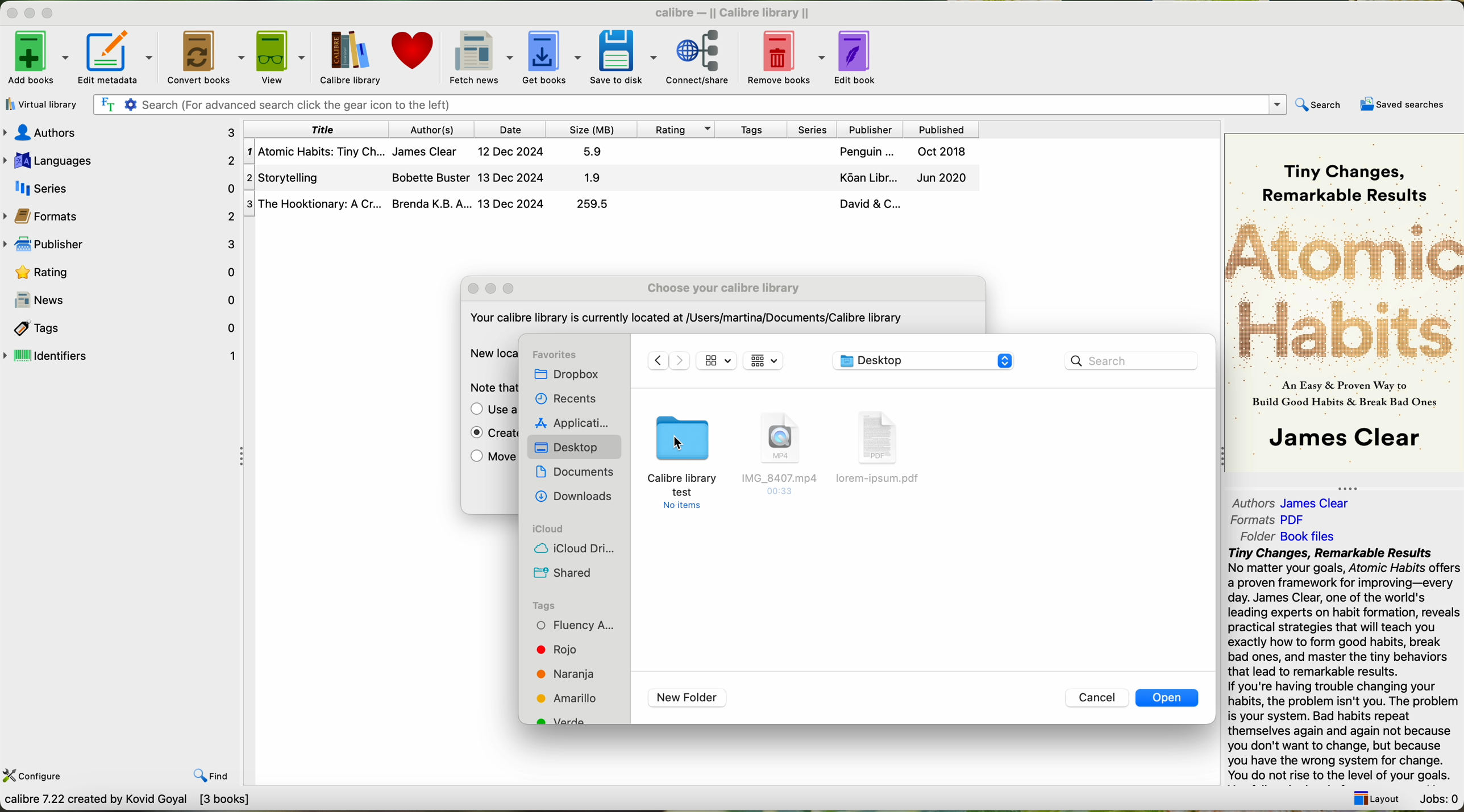 The width and height of the screenshot is (1464, 812). I want to click on click on calibre library test folder, so click(686, 458).